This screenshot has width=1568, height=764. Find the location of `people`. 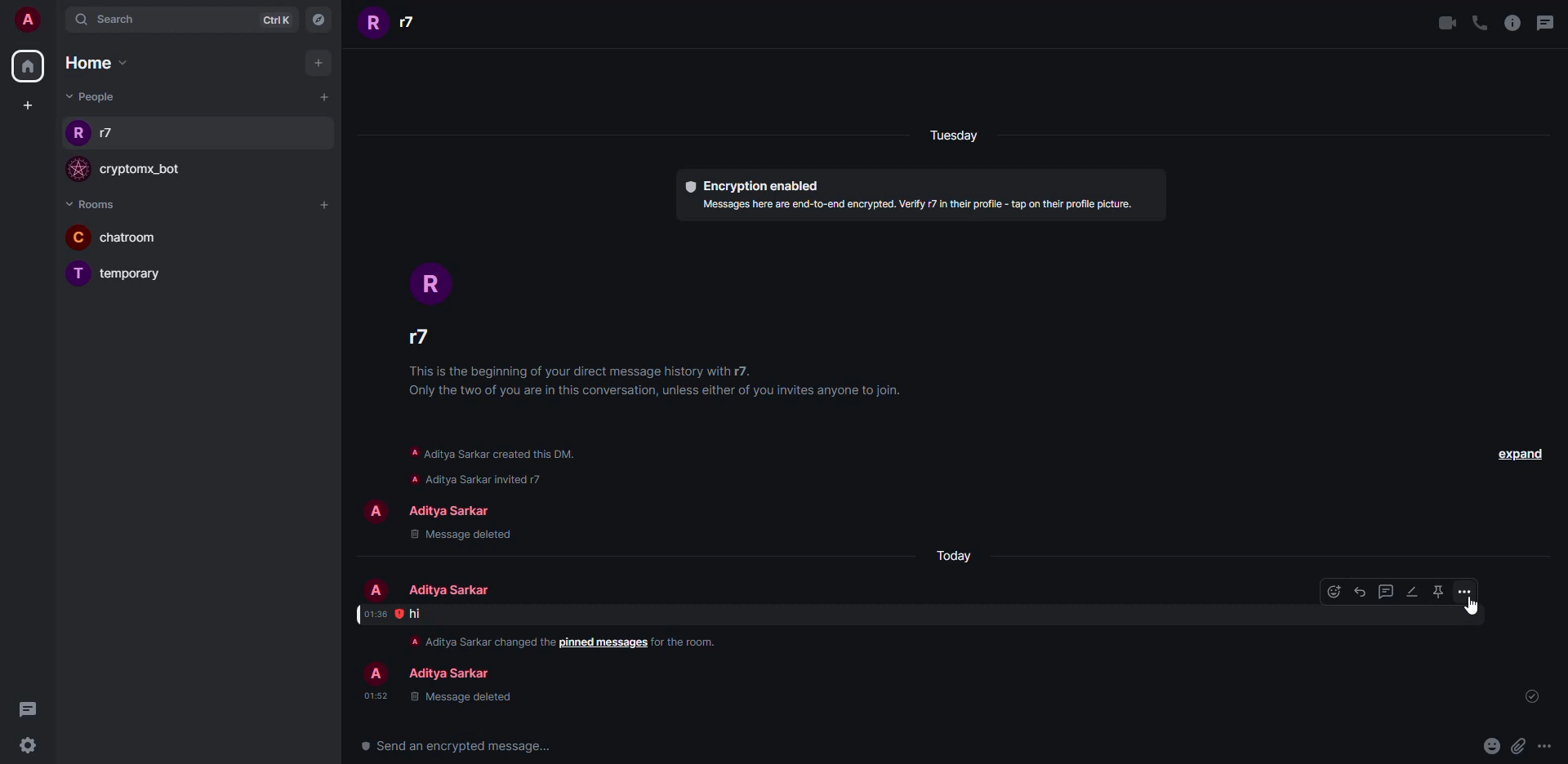

people is located at coordinates (413, 22).